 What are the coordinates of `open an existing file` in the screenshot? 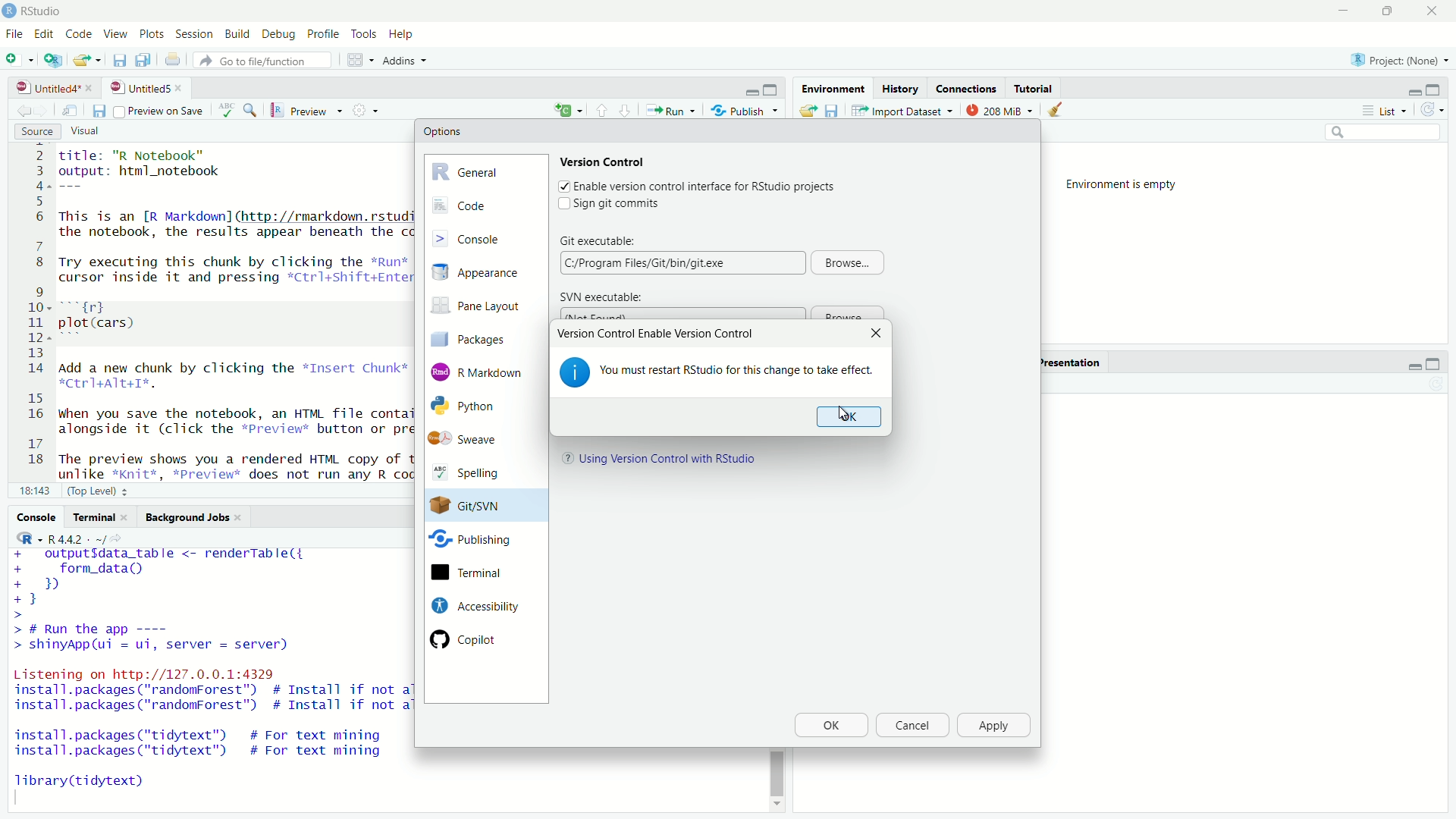 It's located at (88, 60).